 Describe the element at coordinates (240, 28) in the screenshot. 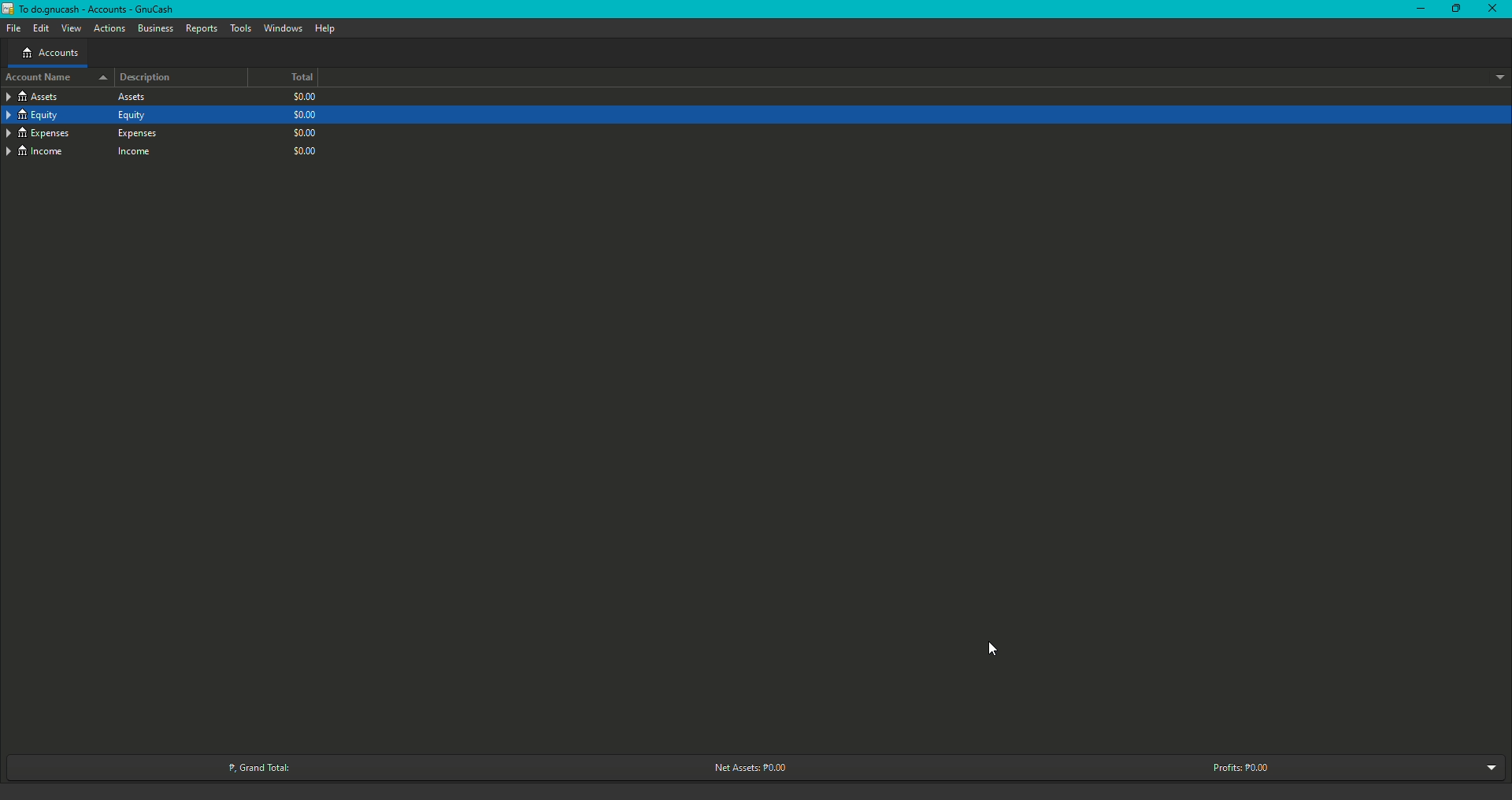

I see `Tools` at that location.